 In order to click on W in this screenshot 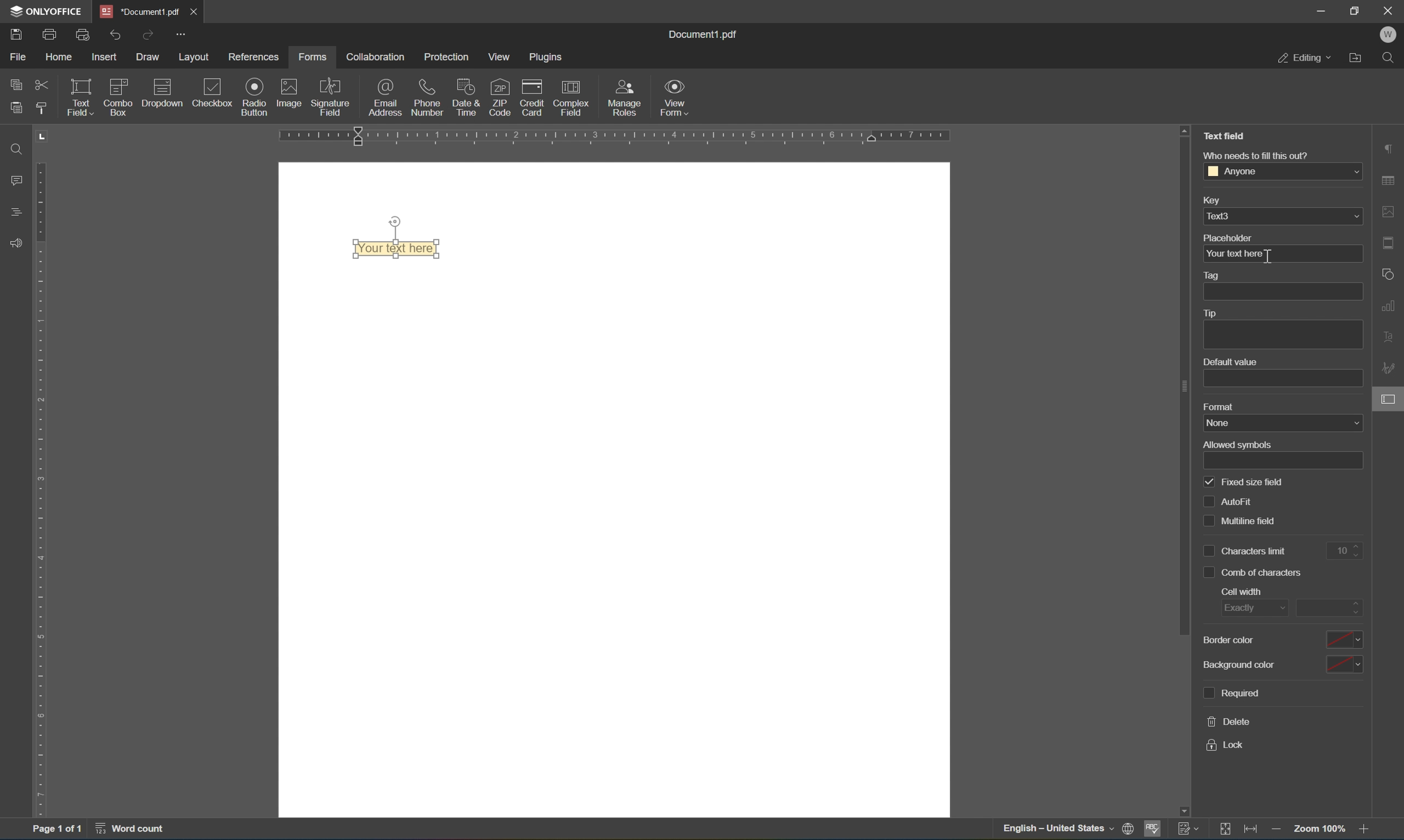, I will do `click(1392, 33)`.